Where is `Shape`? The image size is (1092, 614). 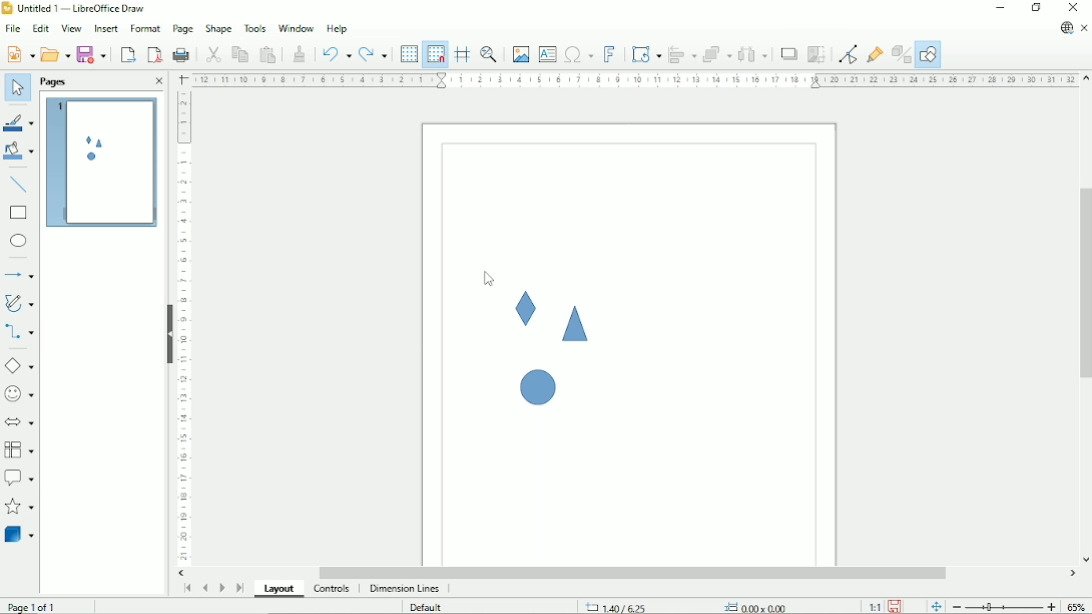
Shape is located at coordinates (526, 309).